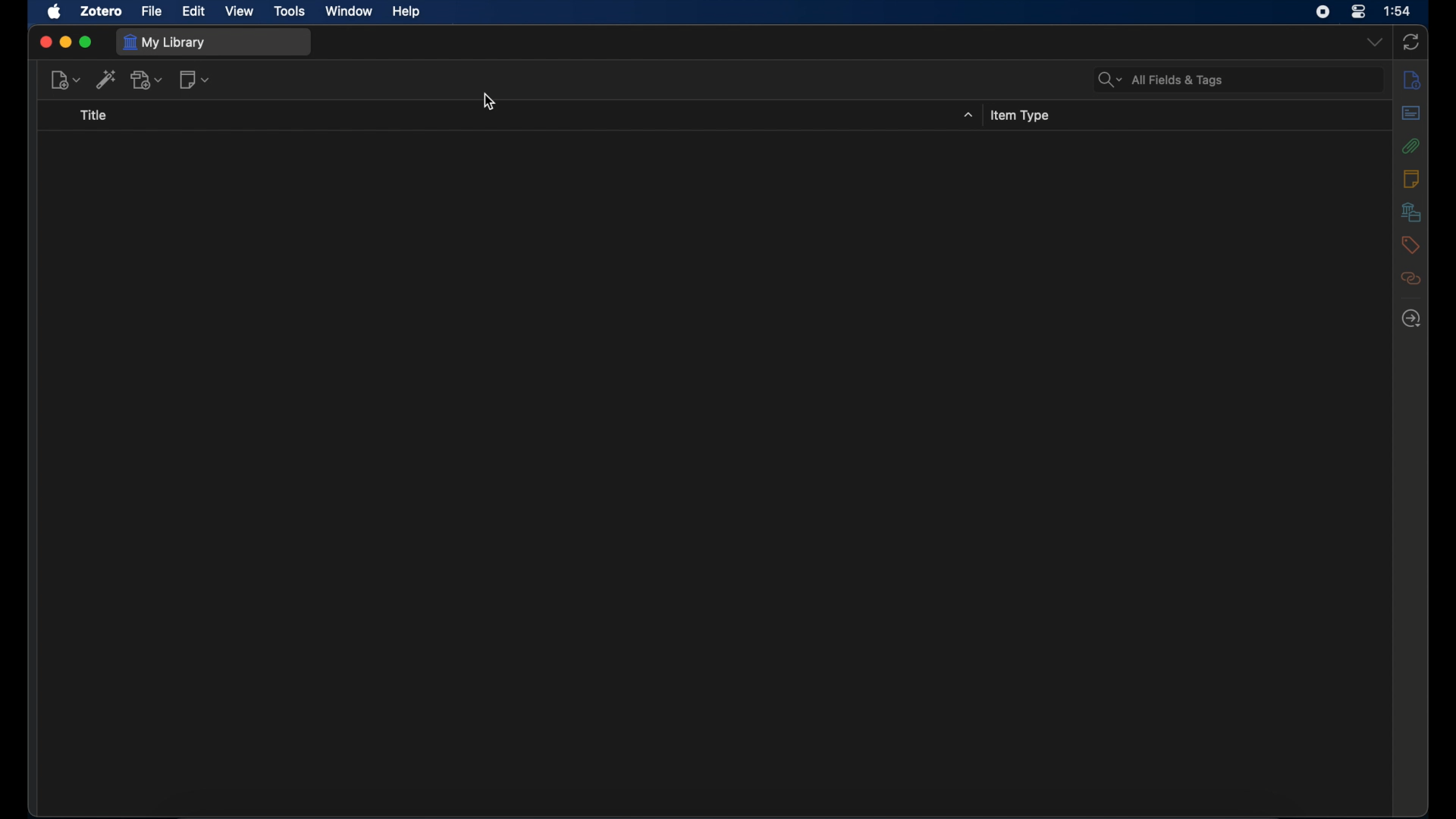  Describe the element at coordinates (99, 114) in the screenshot. I see `title` at that location.